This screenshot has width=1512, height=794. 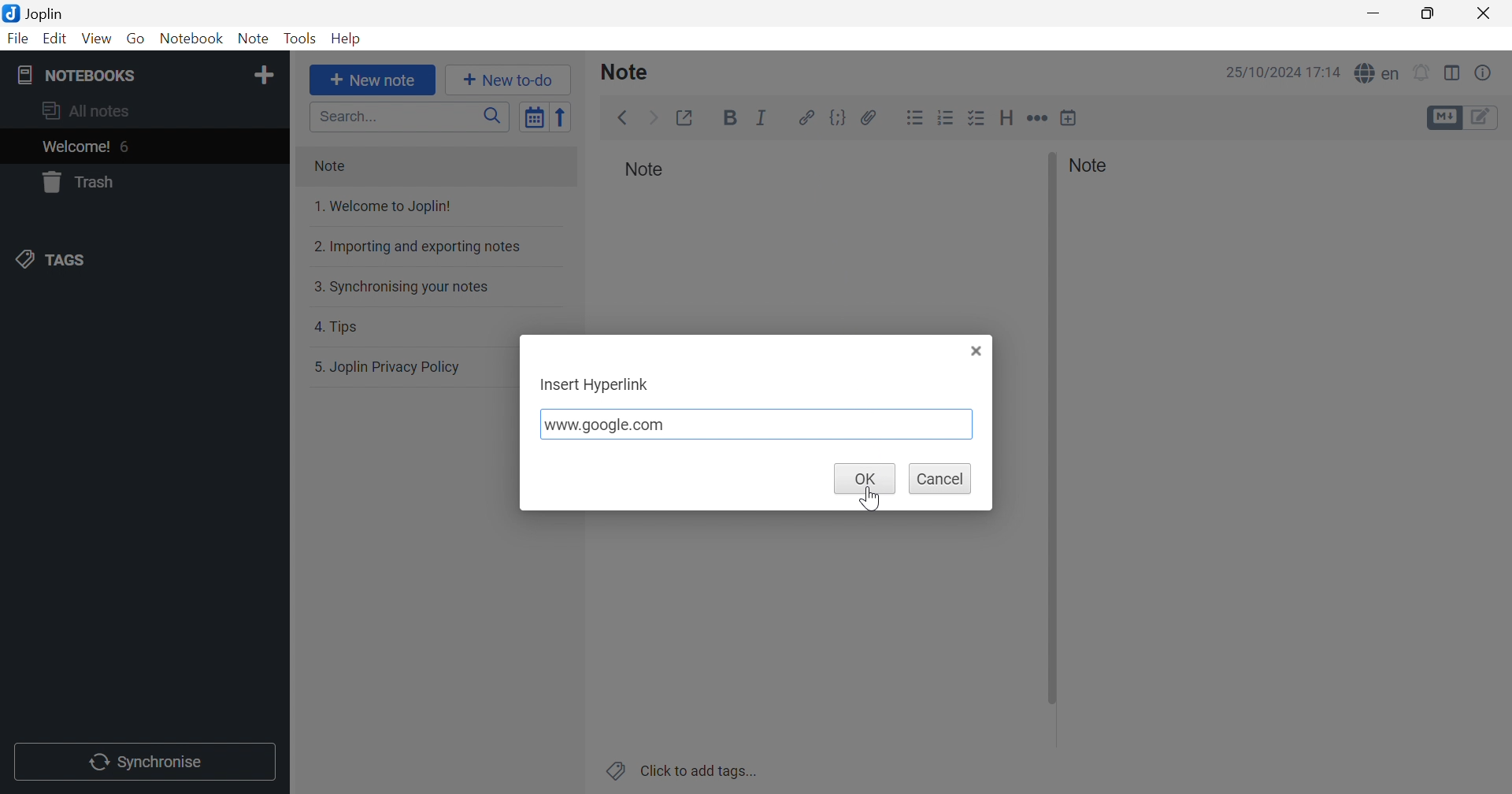 What do you see at coordinates (373, 80) in the screenshot?
I see `+ New note` at bounding box center [373, 80].